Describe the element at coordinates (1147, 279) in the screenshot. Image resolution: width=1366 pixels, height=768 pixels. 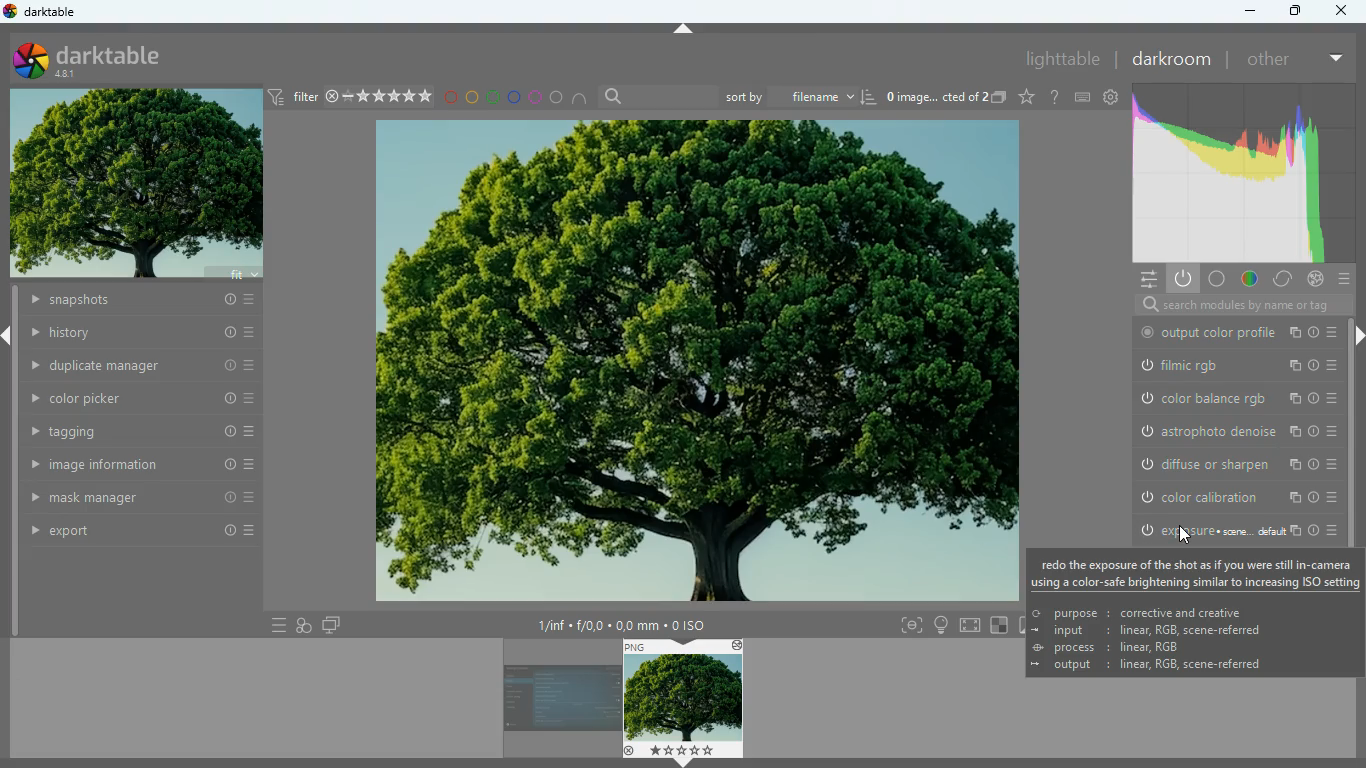
I see `settings` at that location.